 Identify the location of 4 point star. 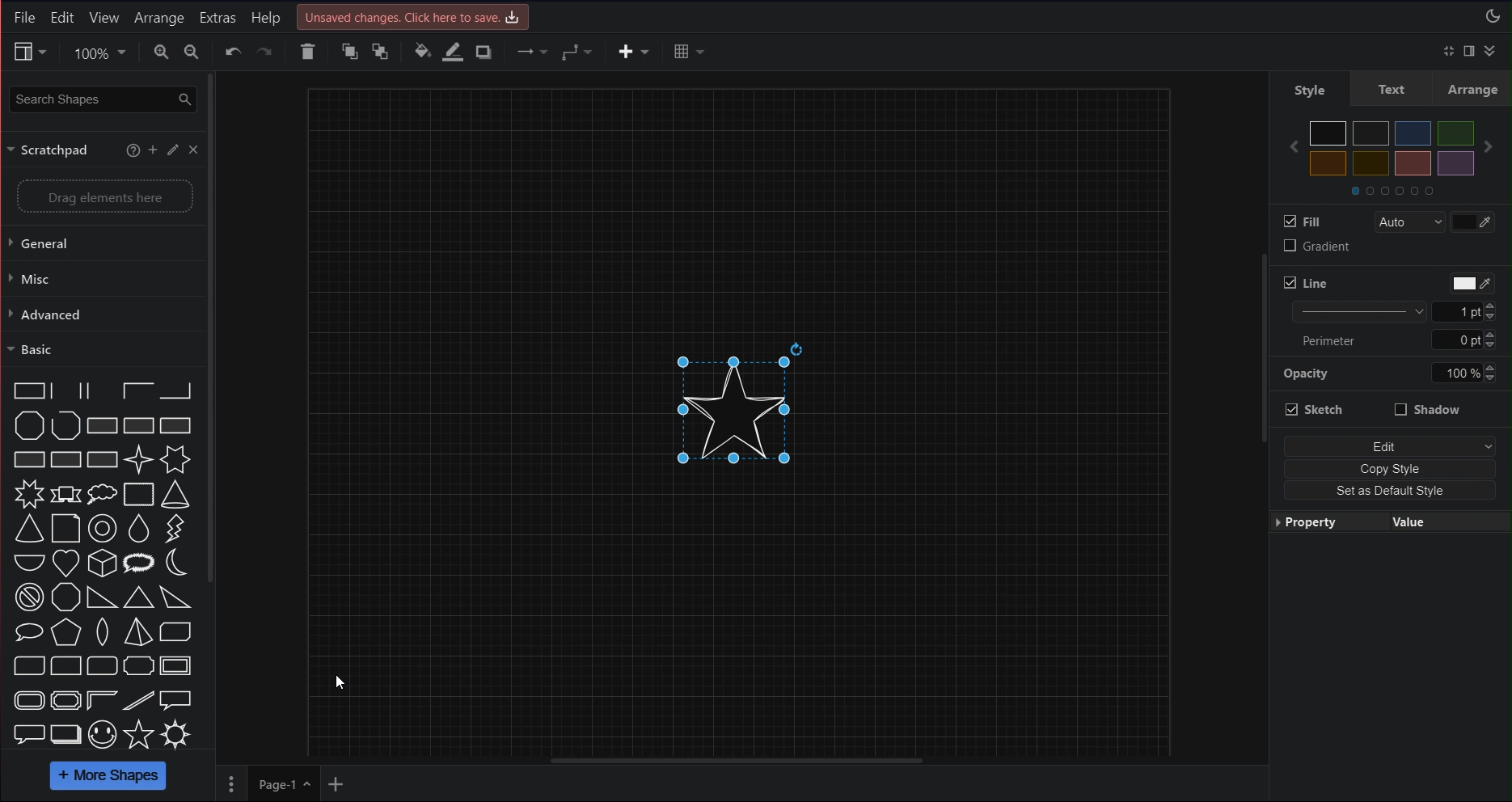
(139, 459).